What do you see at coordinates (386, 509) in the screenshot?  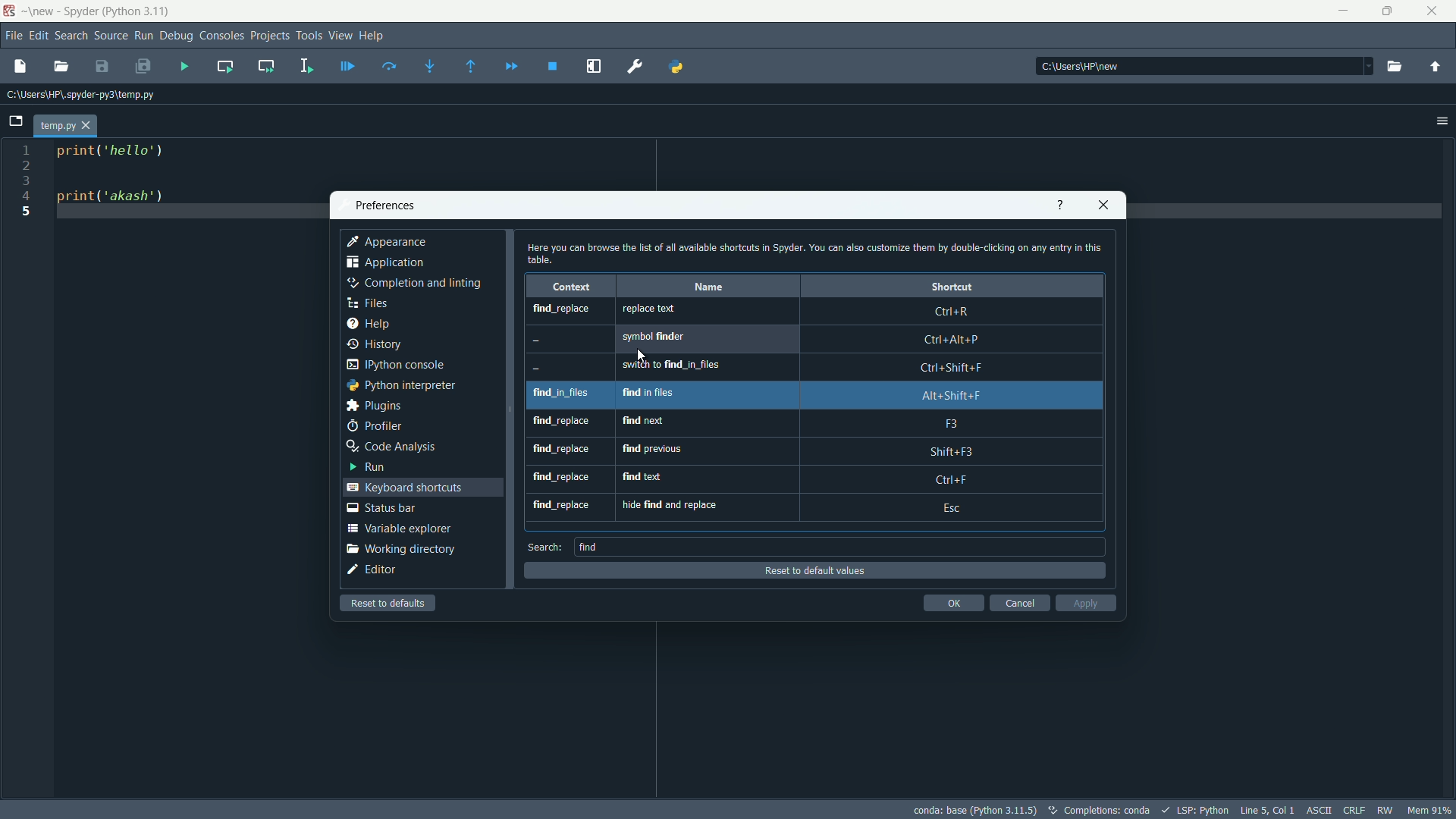 I see `status bar` at bounding box center [386, 509].